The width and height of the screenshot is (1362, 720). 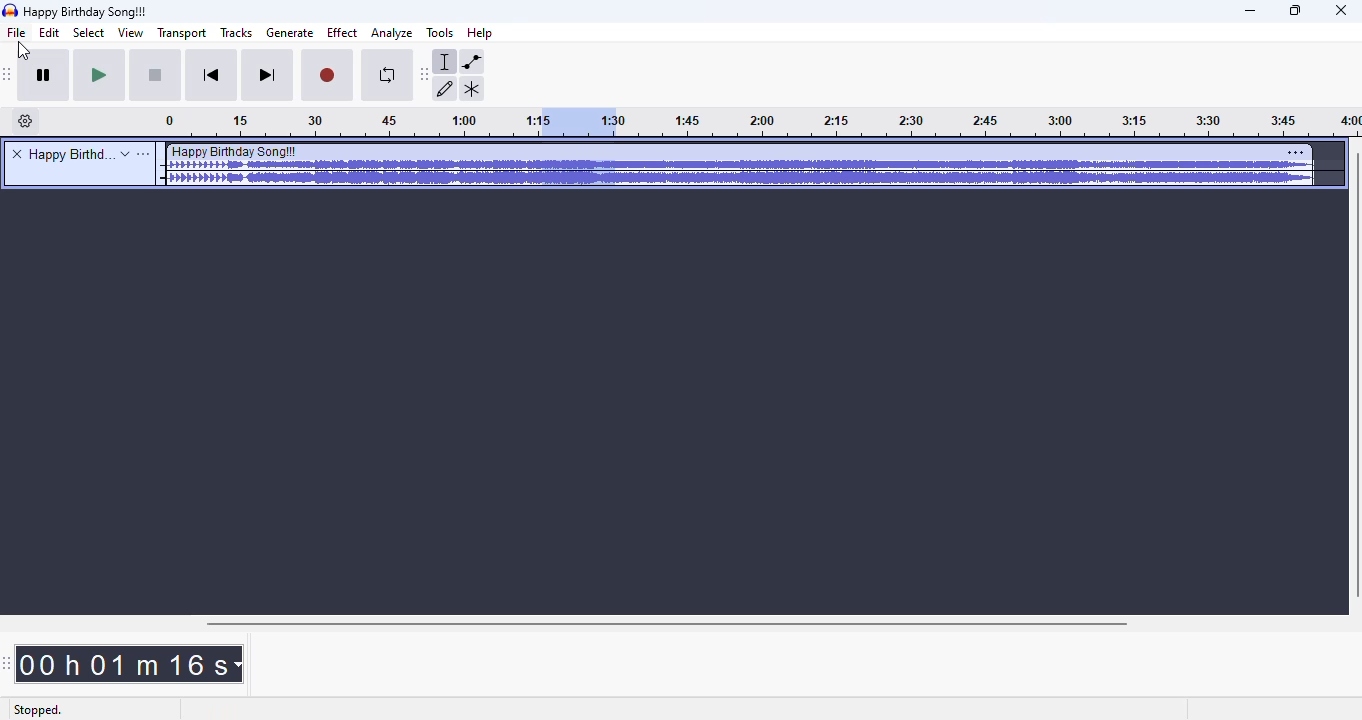 What do you see at coordinates (237, 32) in the screenshot?
I see `tracks` at bounding box center [237, 32].